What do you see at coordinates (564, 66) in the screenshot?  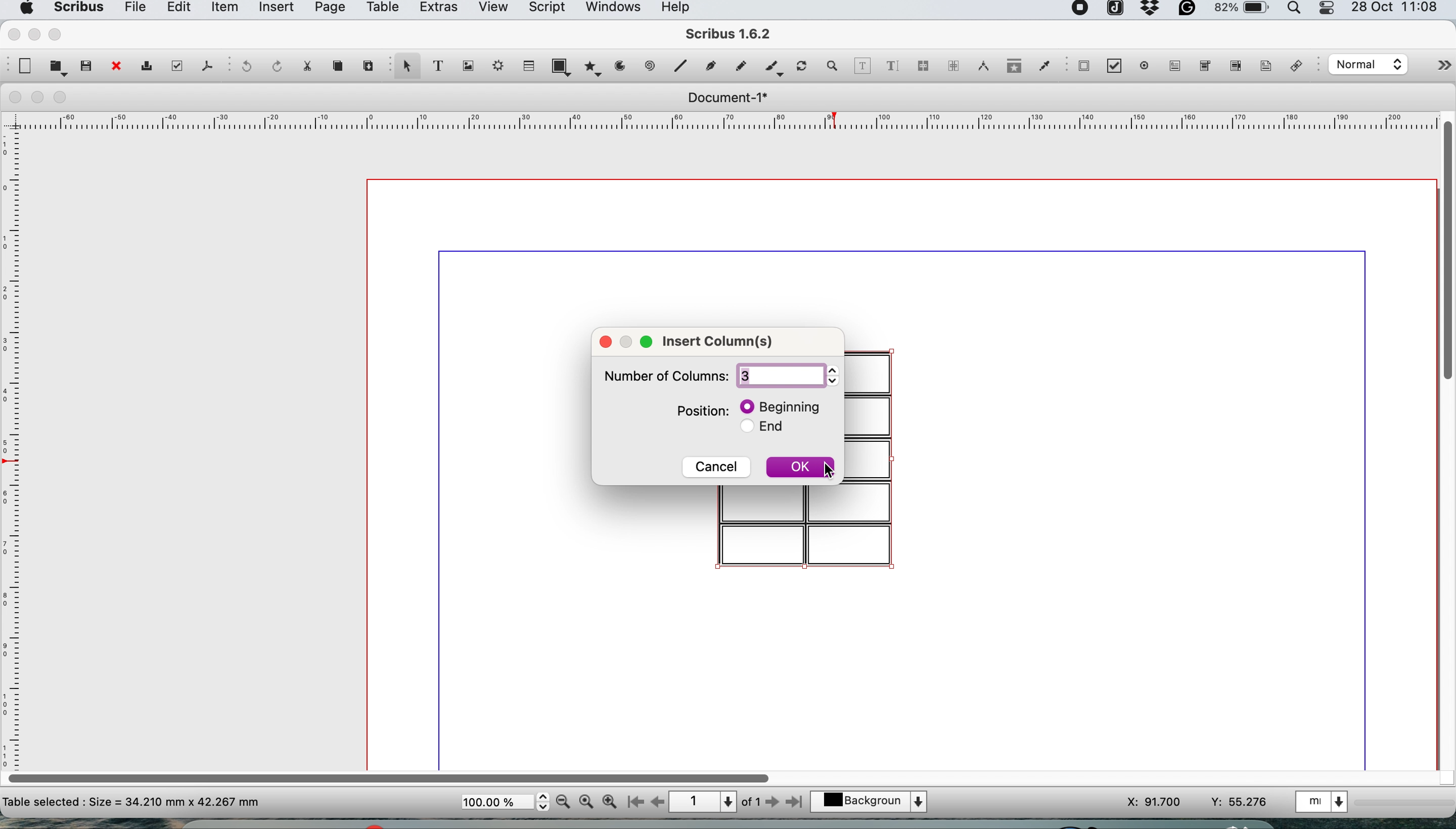 I see `shape` at bounding box center [564, 66].